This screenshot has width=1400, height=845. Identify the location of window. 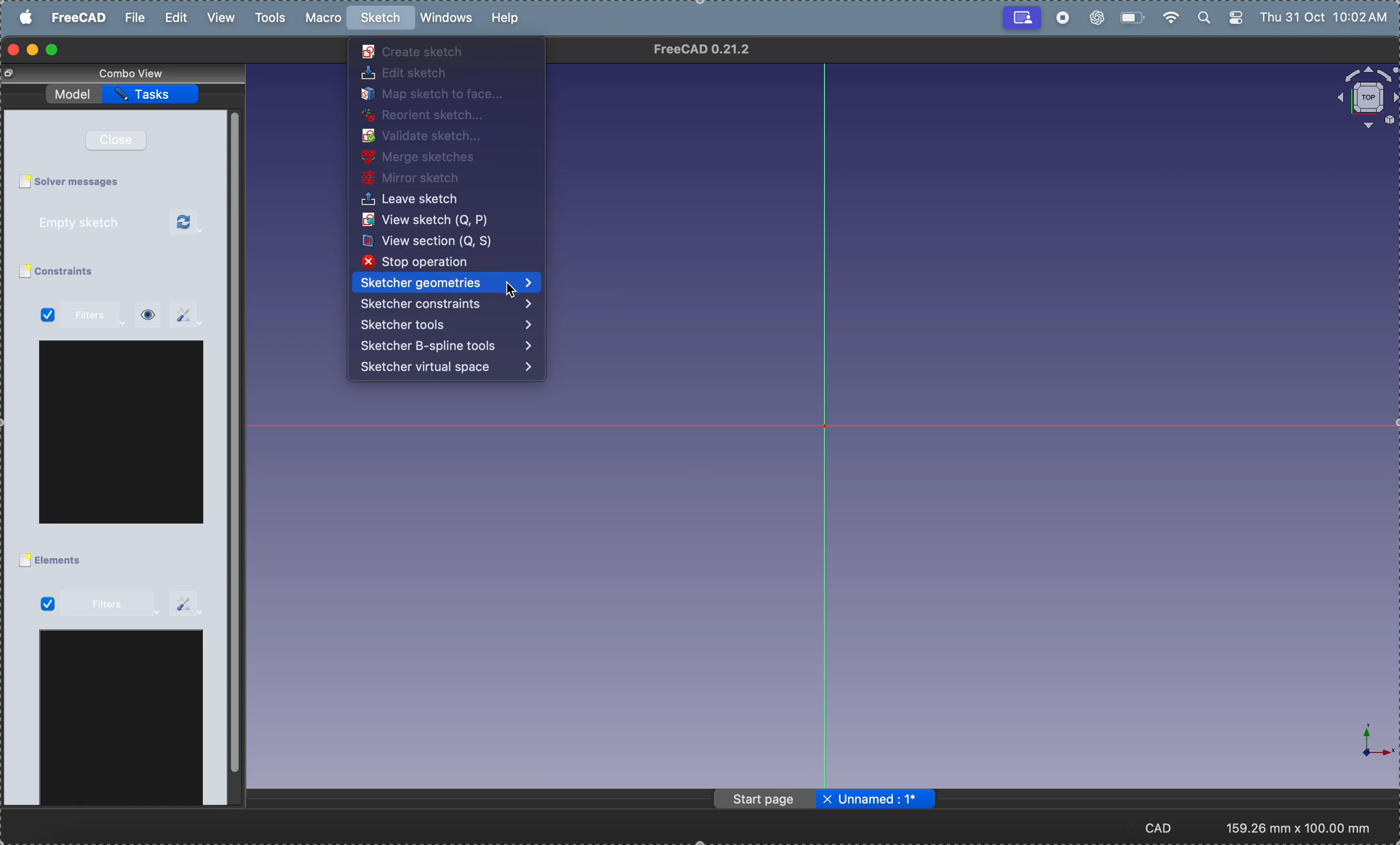
(123, 432).